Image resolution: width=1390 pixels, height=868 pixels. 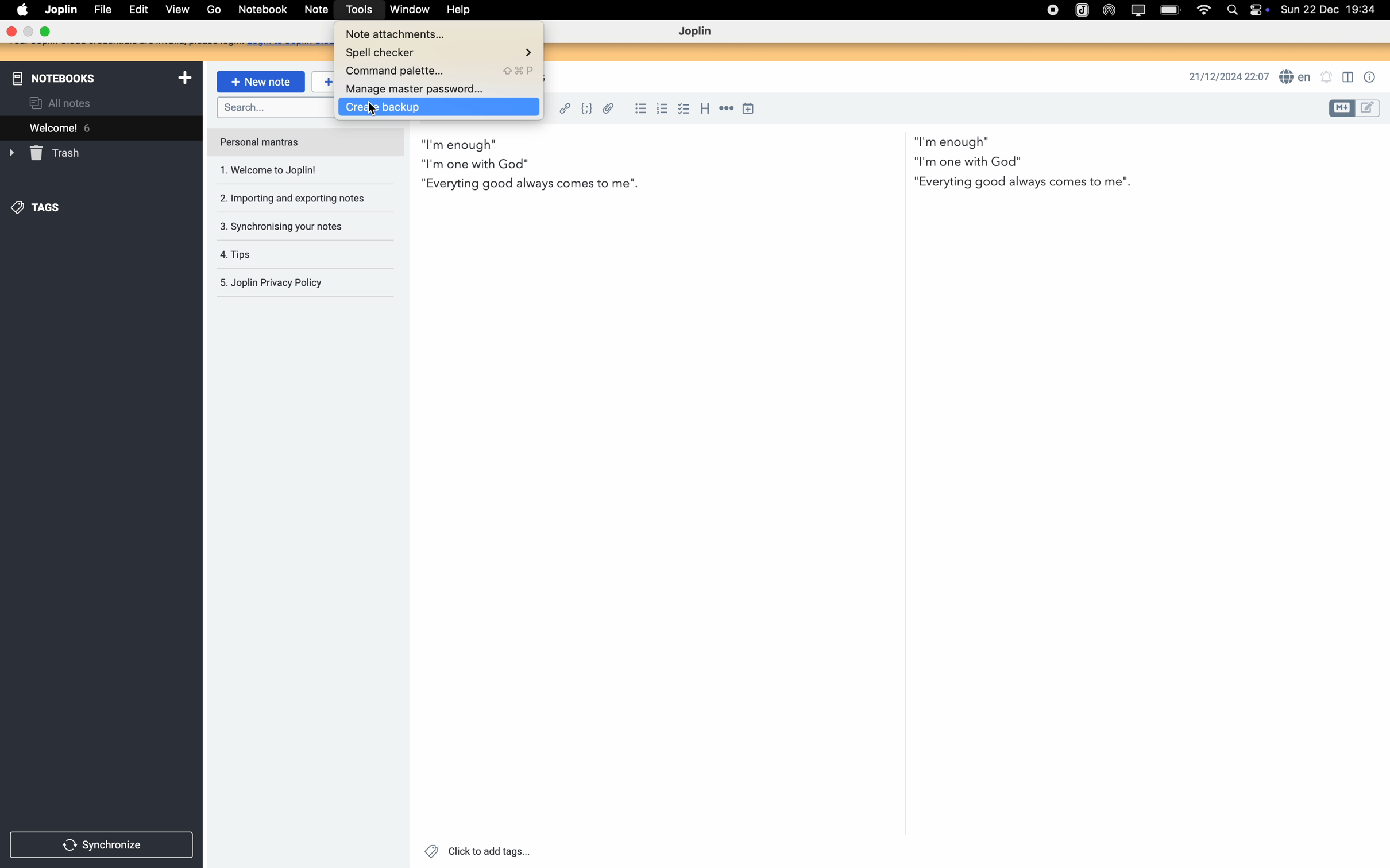 I want to click on personal mantras note, so click(x=307, y=141).